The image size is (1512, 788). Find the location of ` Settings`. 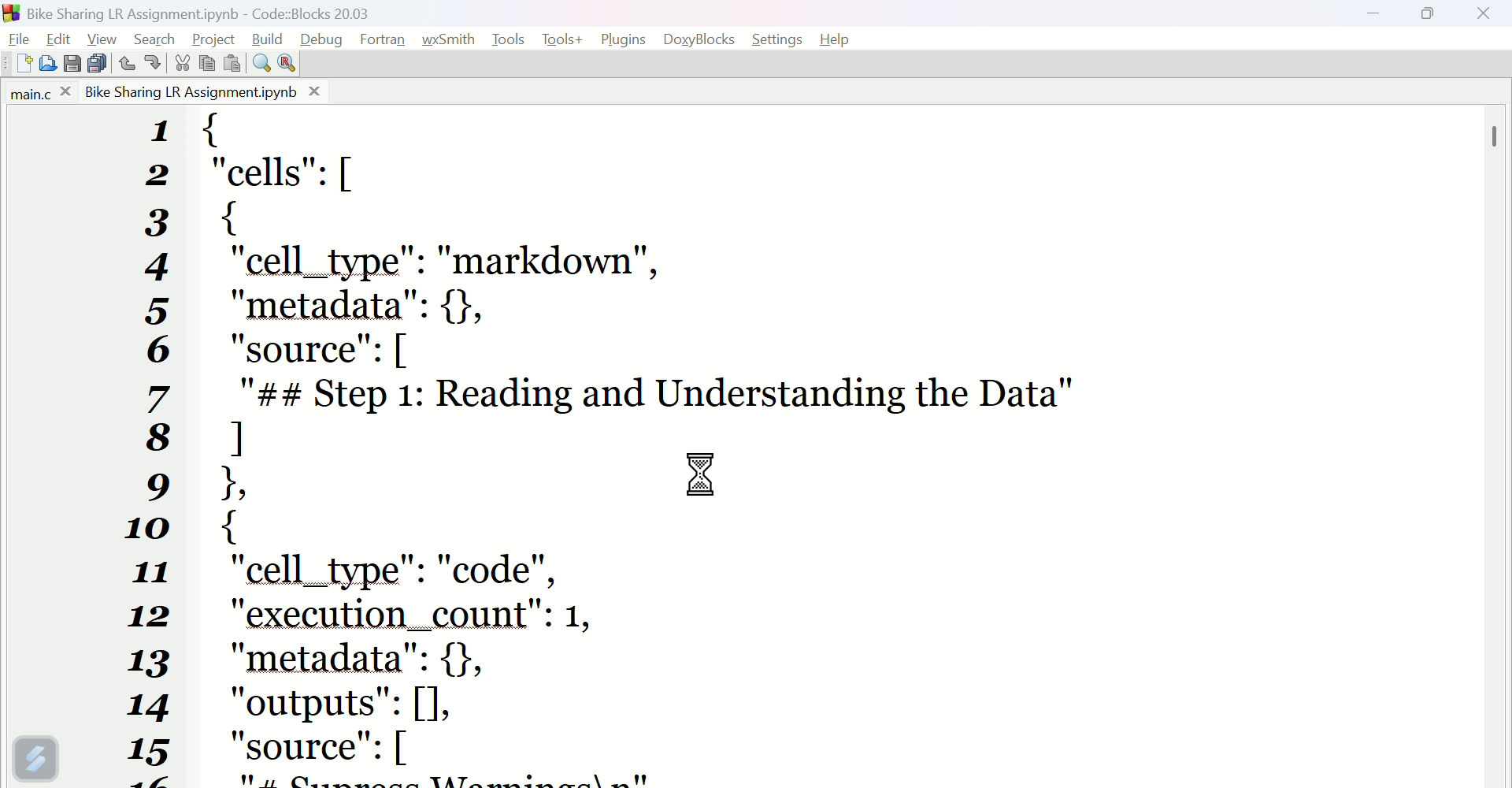

 Settings is located at coordinates (780, 40).